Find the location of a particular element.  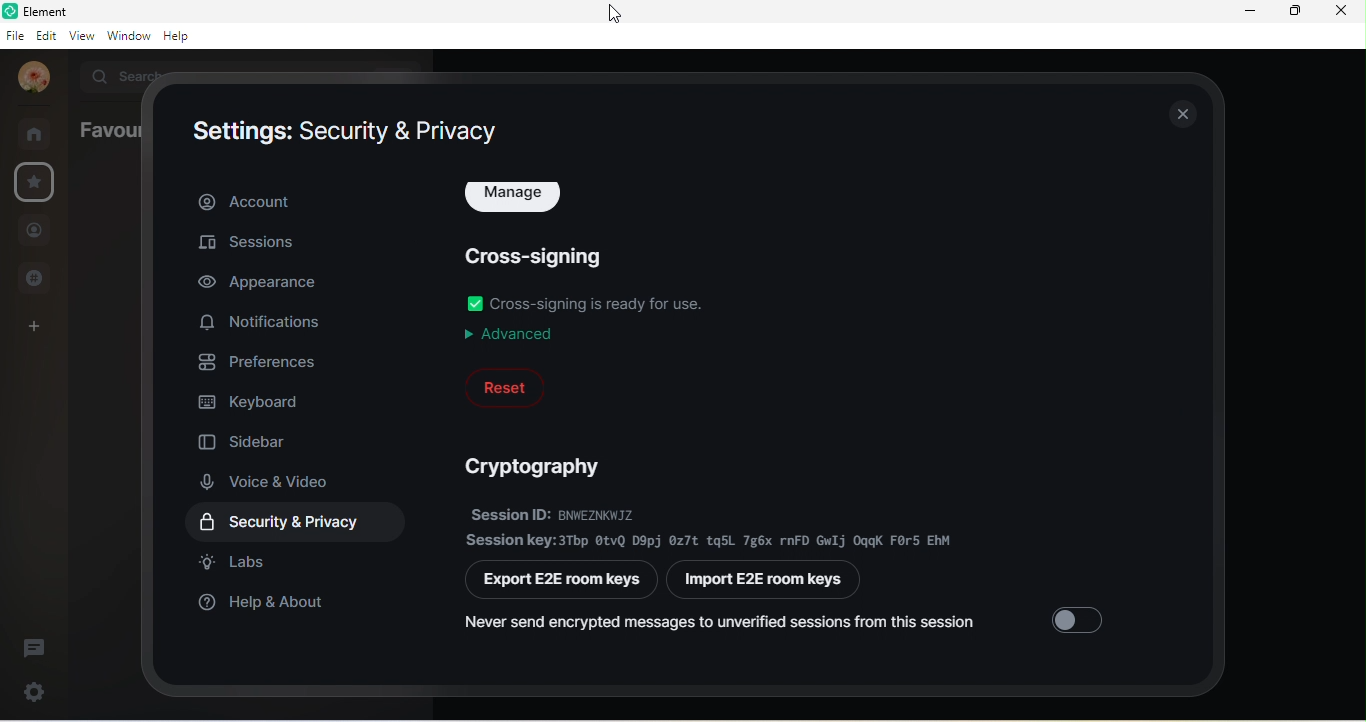

Cryptography is located at coordinates (528, 468).